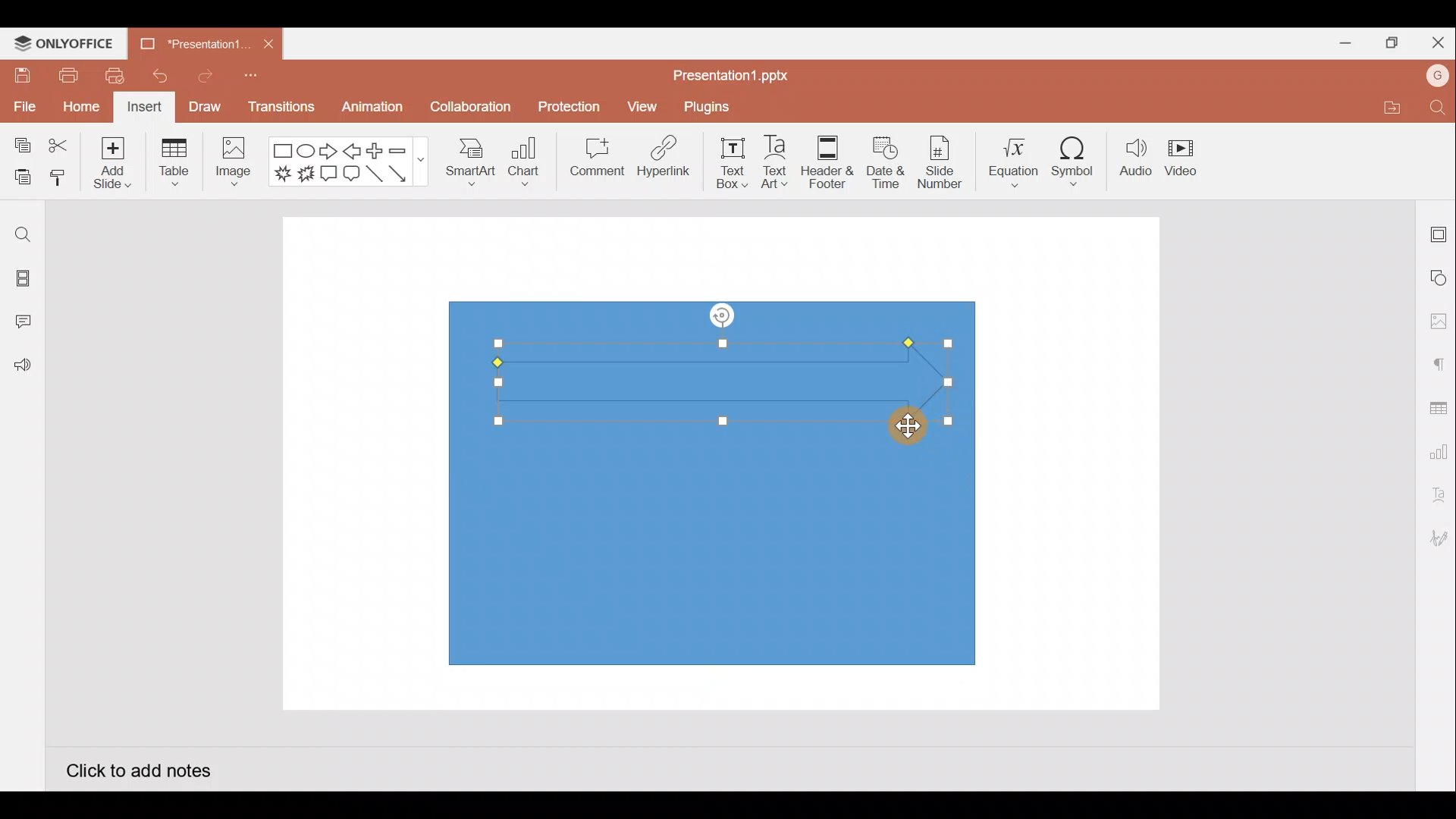 This screenshot has width=1456, height=819. Describe the element at coordinates (64, 43) in the screenshot. I see `ONLYOFFICE` at that location.